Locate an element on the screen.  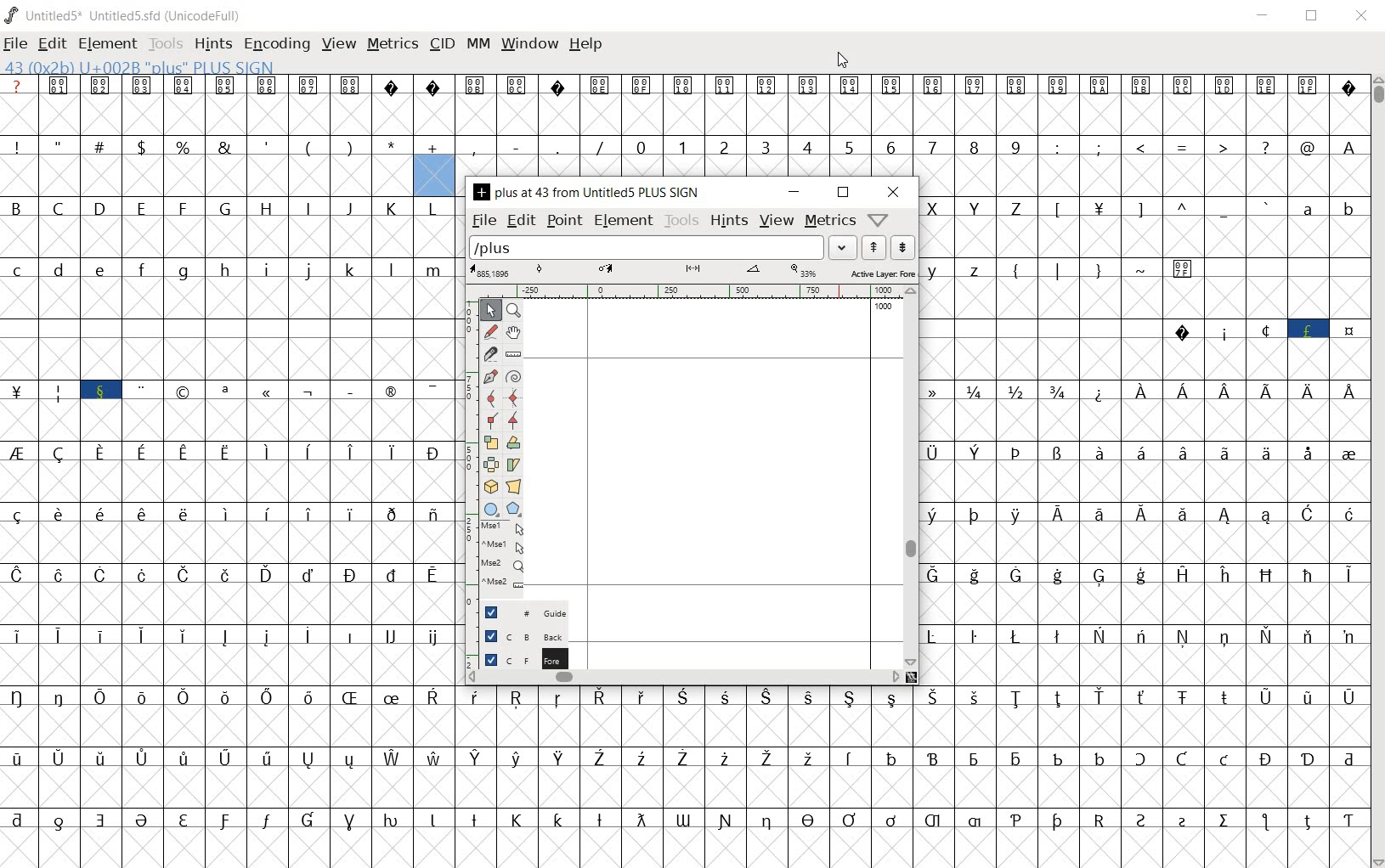
show the next word on the list is located at coordinates (872, 247).